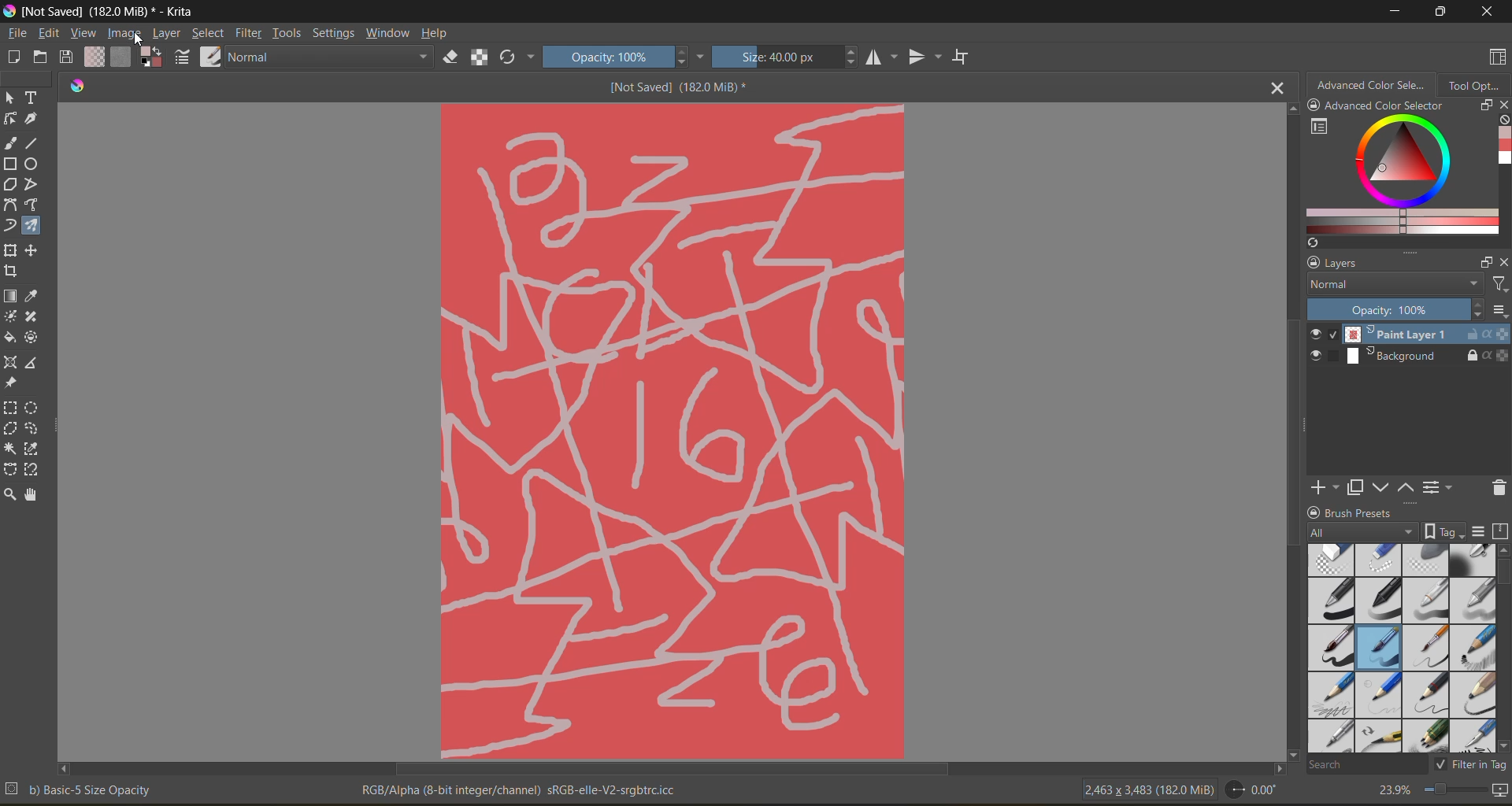 This screenshot has width=1512, height=806. I want to click on brush presets, so click(1403, 648).